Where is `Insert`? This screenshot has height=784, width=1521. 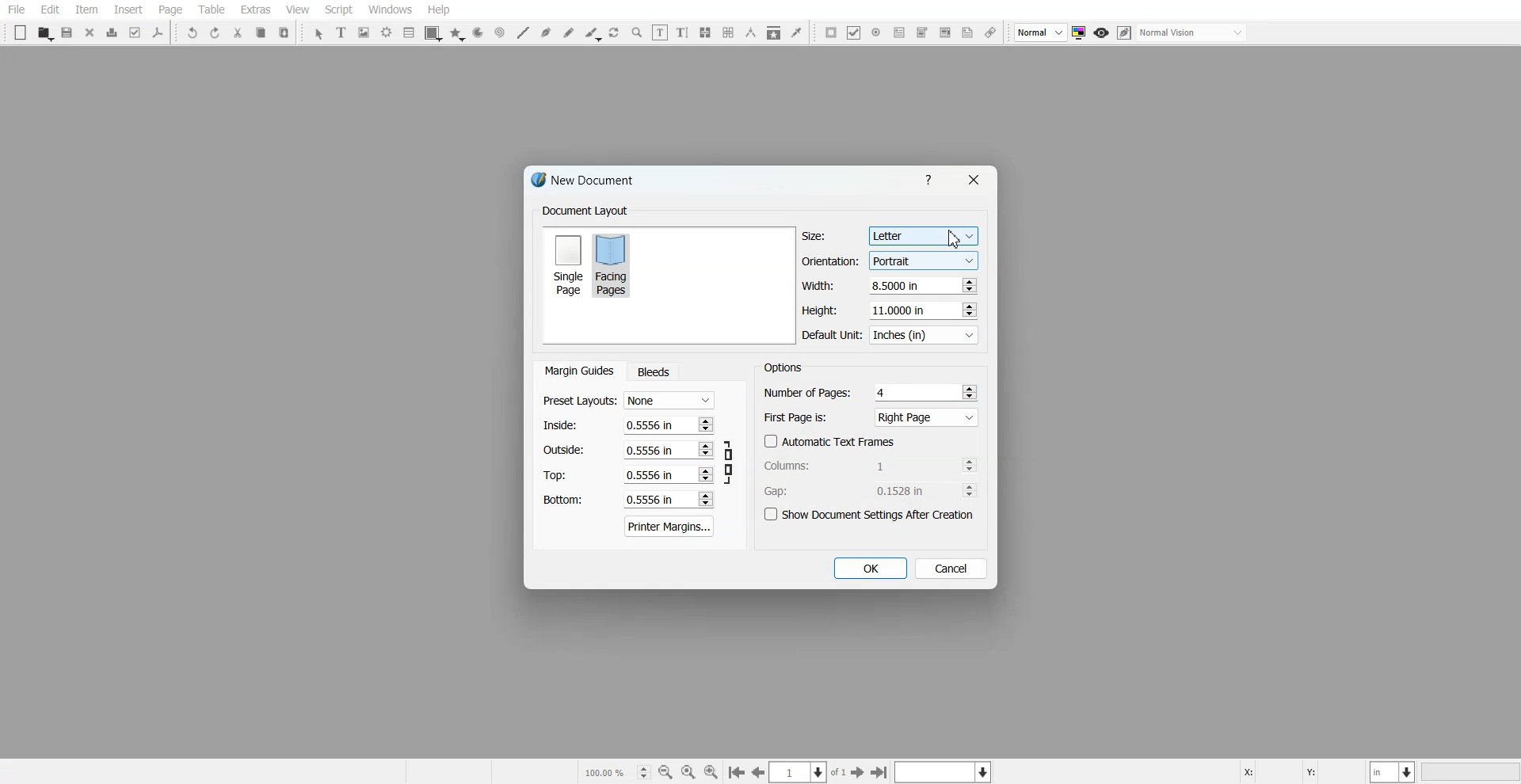
Insert is located at coordinates (128, 10).